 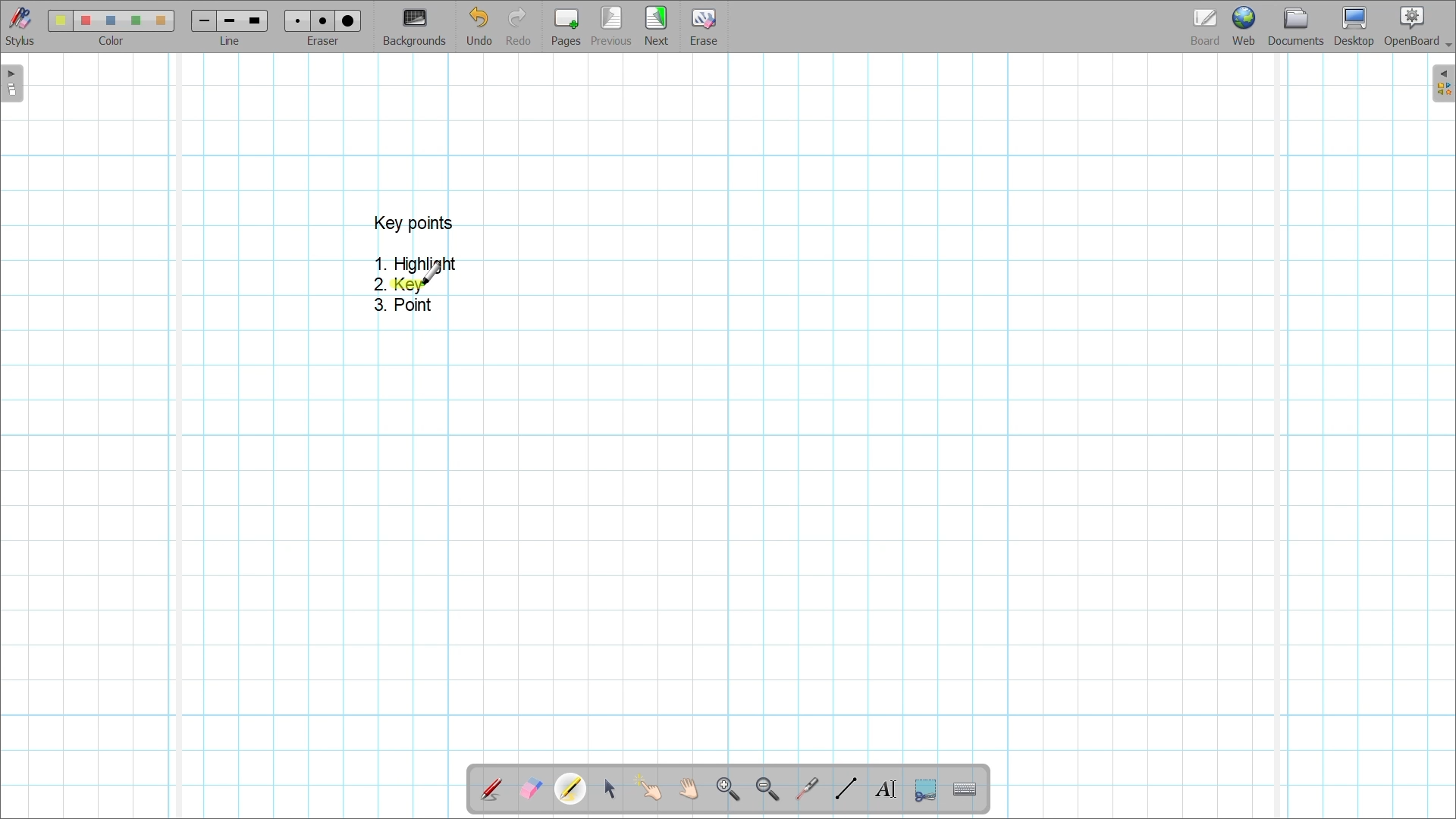 What do you see at coordinates (519, 26) in the screenshot?
I see `Redo` at bounding box center [519, 26].